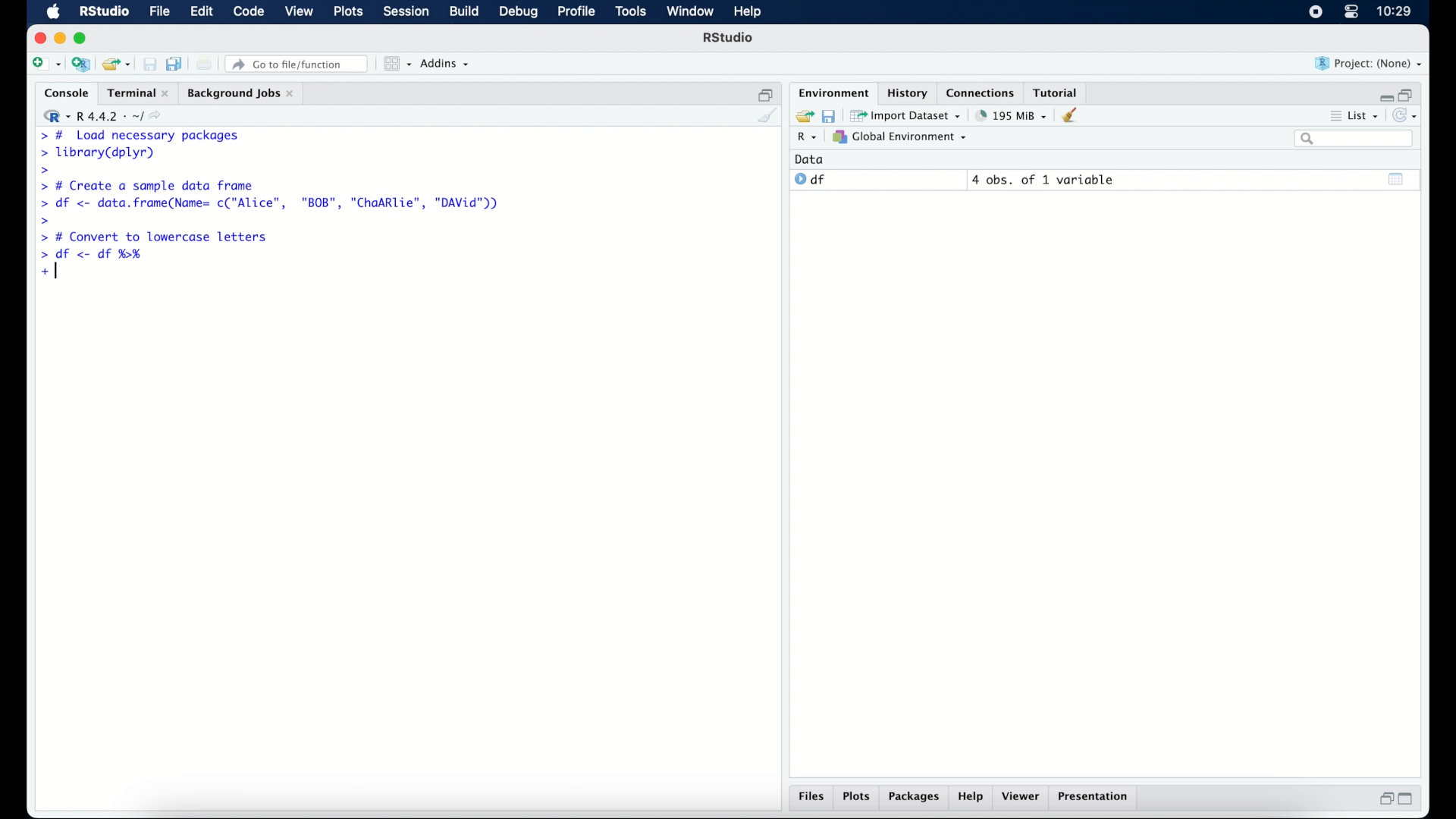 Image resolution: width=1456 pixels, height=819 pixels. I want to click on profile, so click(576, 12).